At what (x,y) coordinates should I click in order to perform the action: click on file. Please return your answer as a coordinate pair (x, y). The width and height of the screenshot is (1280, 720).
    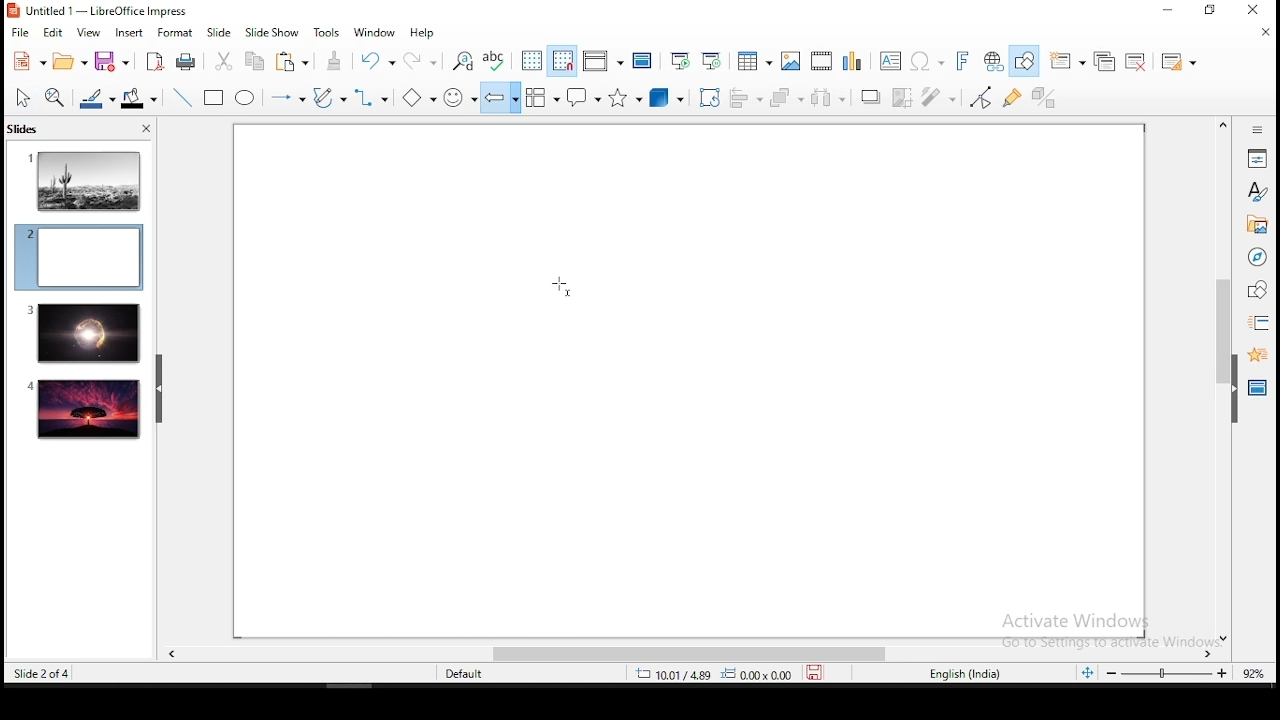
    Looking at the image, I should click on (21, 31).